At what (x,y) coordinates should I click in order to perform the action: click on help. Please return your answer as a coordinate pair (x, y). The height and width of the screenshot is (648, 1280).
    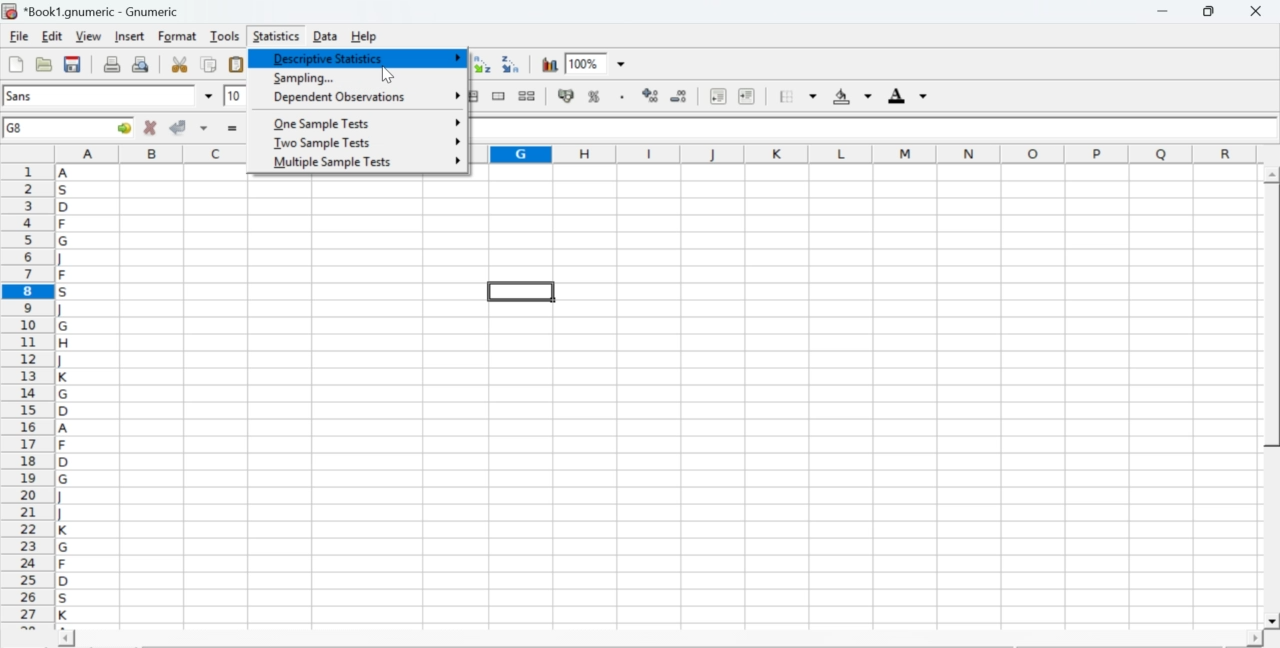
    Looking at the image, I should click on (366, 37).